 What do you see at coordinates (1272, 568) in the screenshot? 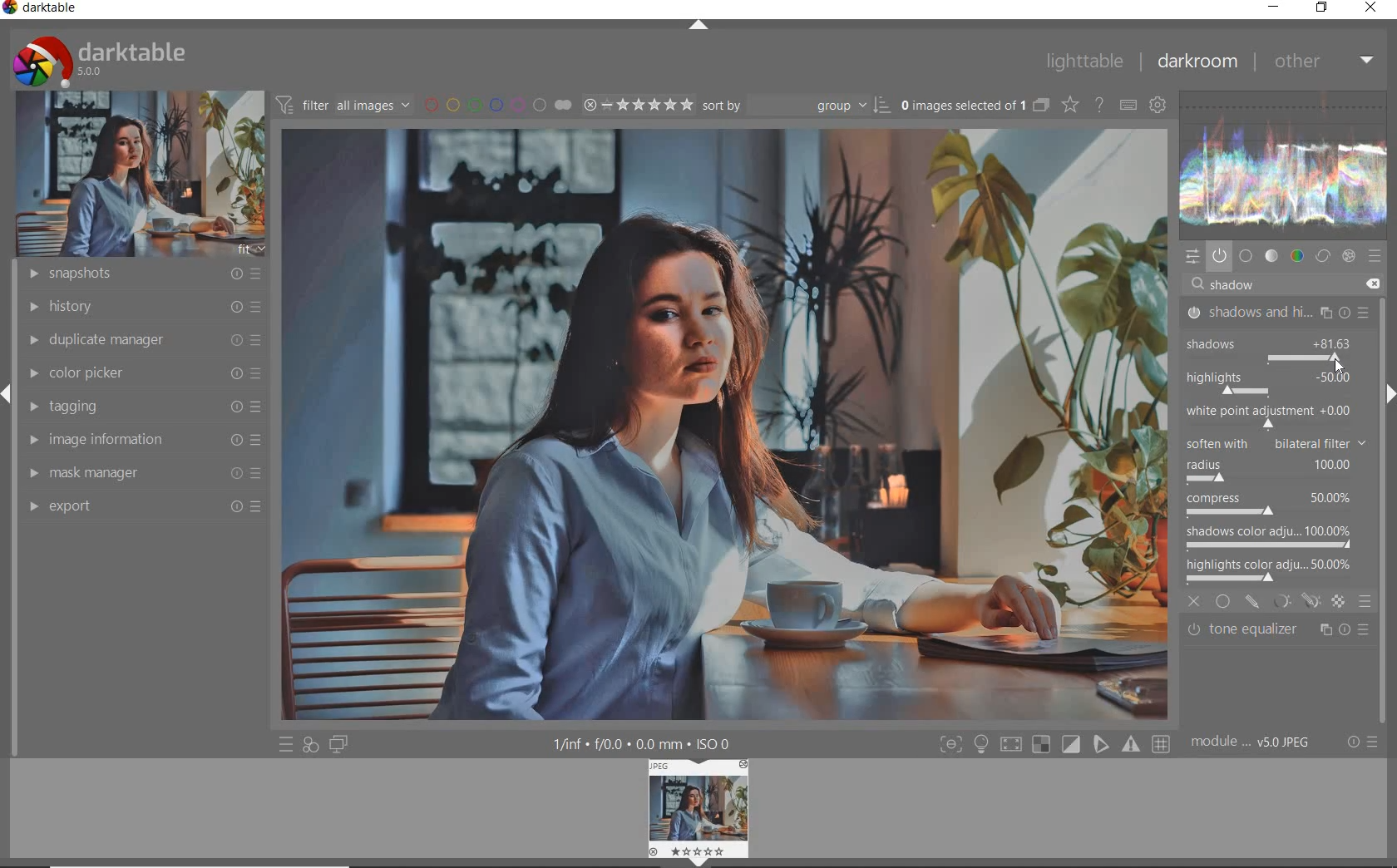
I see `highlights color adjustment` at bounding box center [1272, 568].